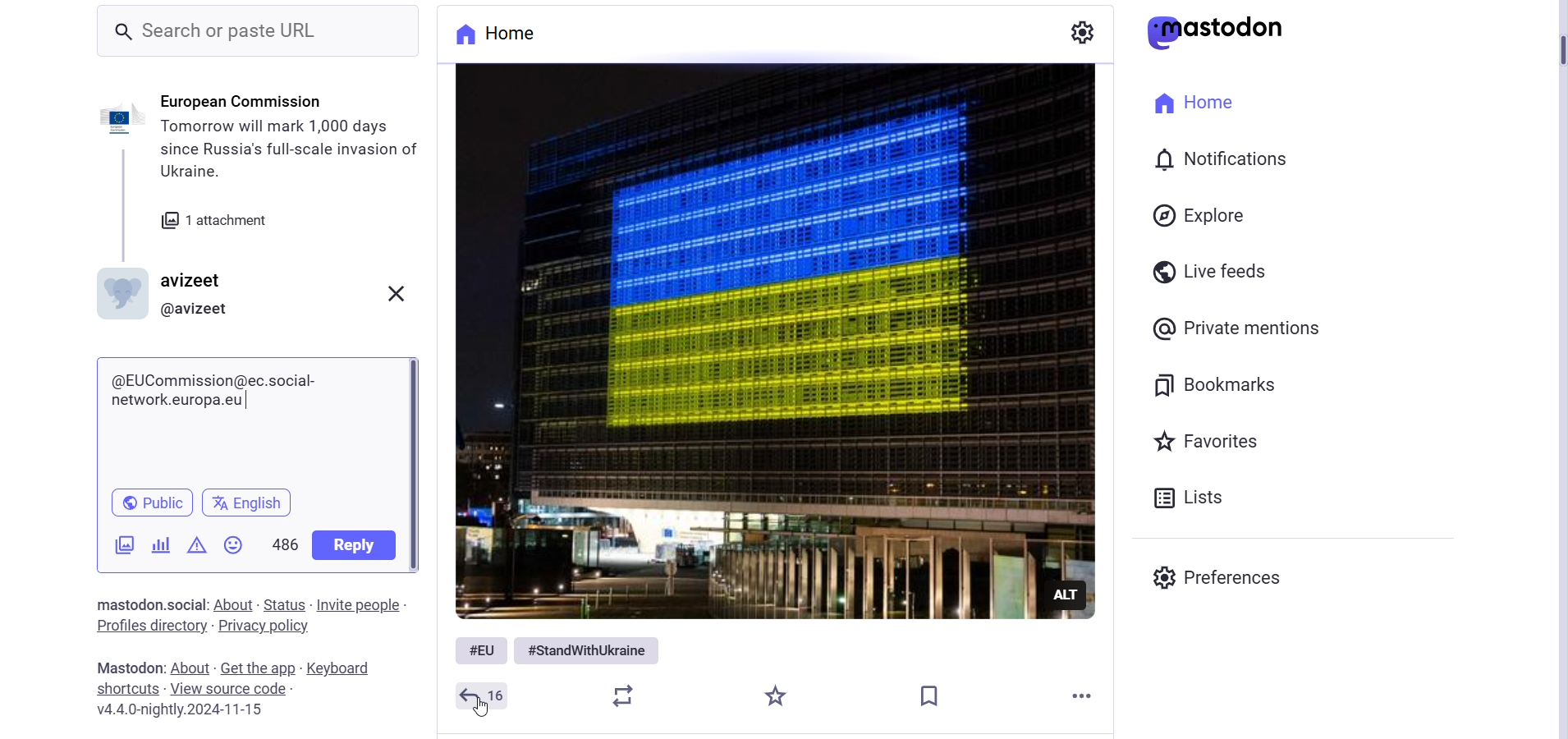  What do you see at coordinates (161, 544) in the screenshot?
I see `Add Poll` at bounding box center [161, 544].